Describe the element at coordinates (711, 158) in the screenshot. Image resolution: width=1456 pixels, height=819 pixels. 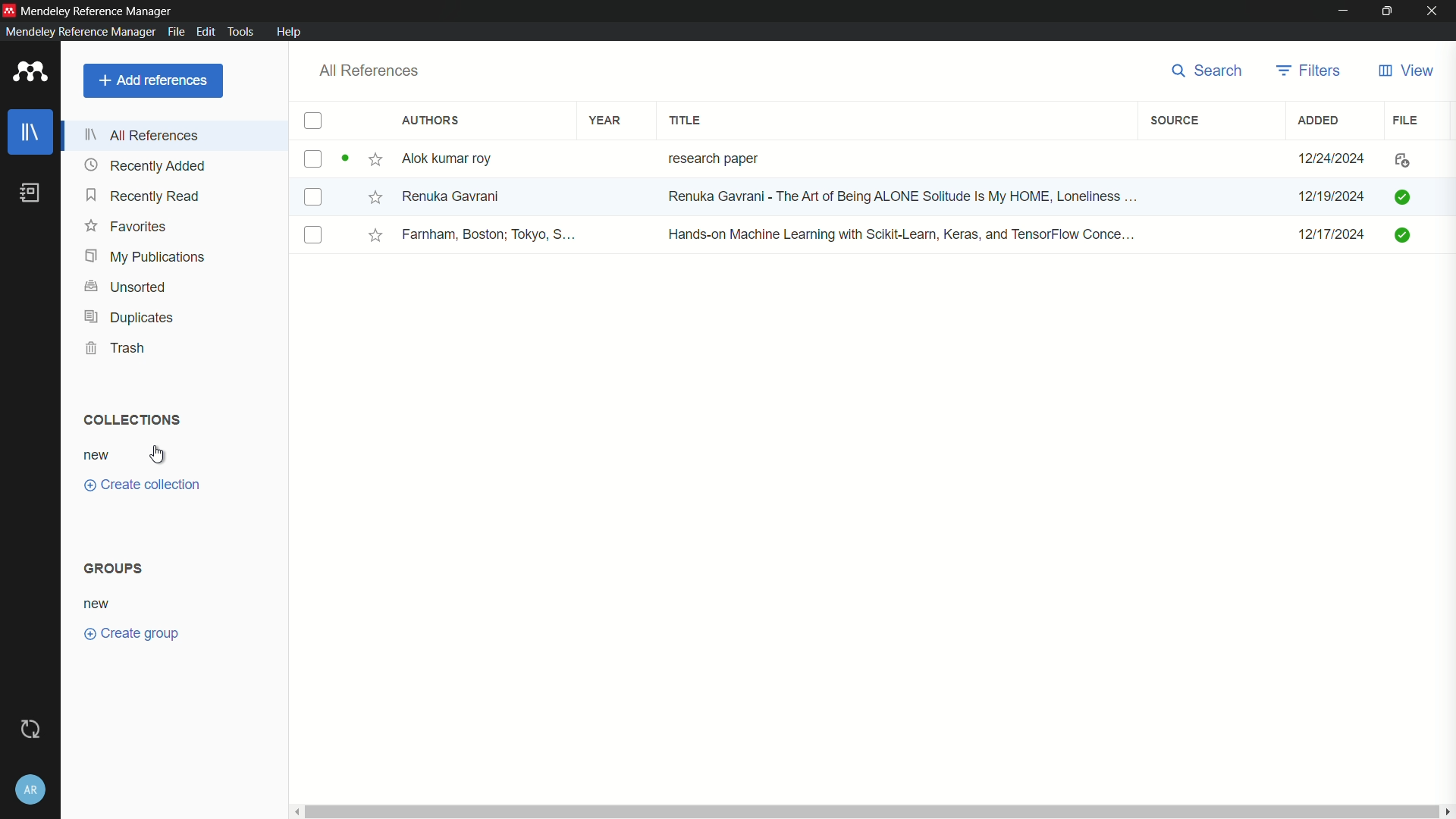
I see `research paper` at that location.